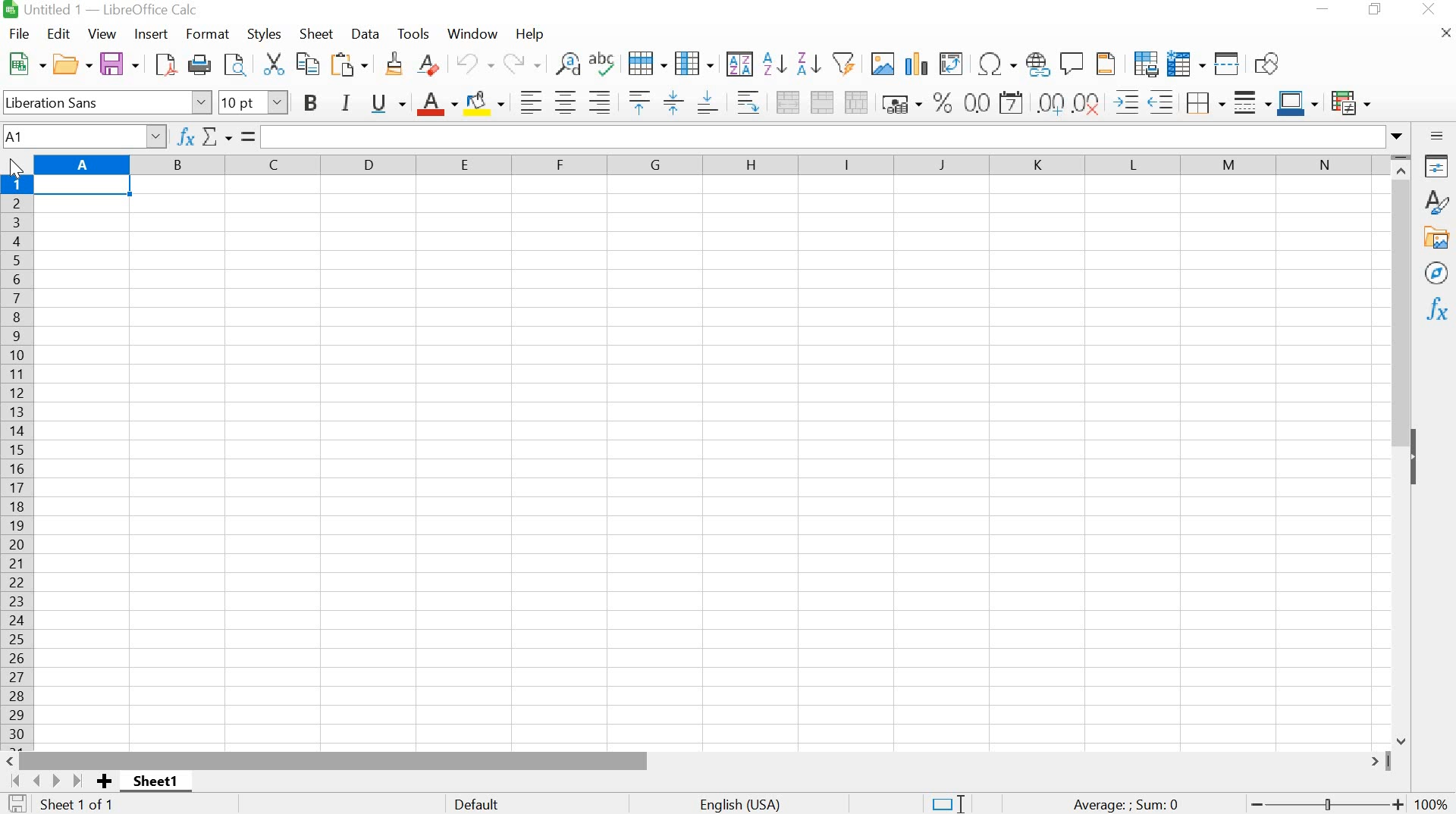 This screenshot has height=814, width=1456. What do you see at coordinates (789, 102) in the screenshot?
I see `Merge and Center` at bounding box center [789, 102].